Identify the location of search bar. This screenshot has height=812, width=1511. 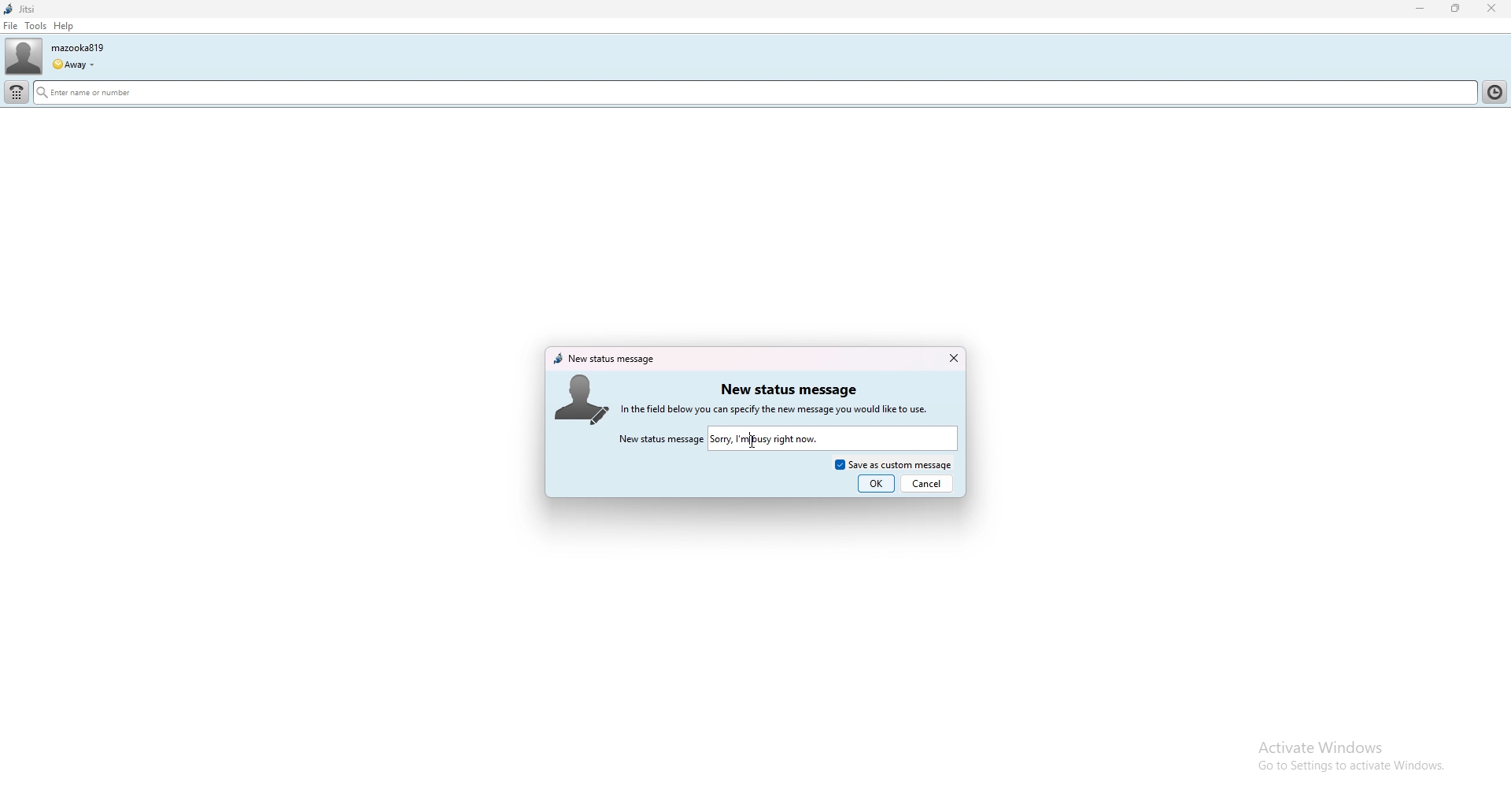
(626, 94).